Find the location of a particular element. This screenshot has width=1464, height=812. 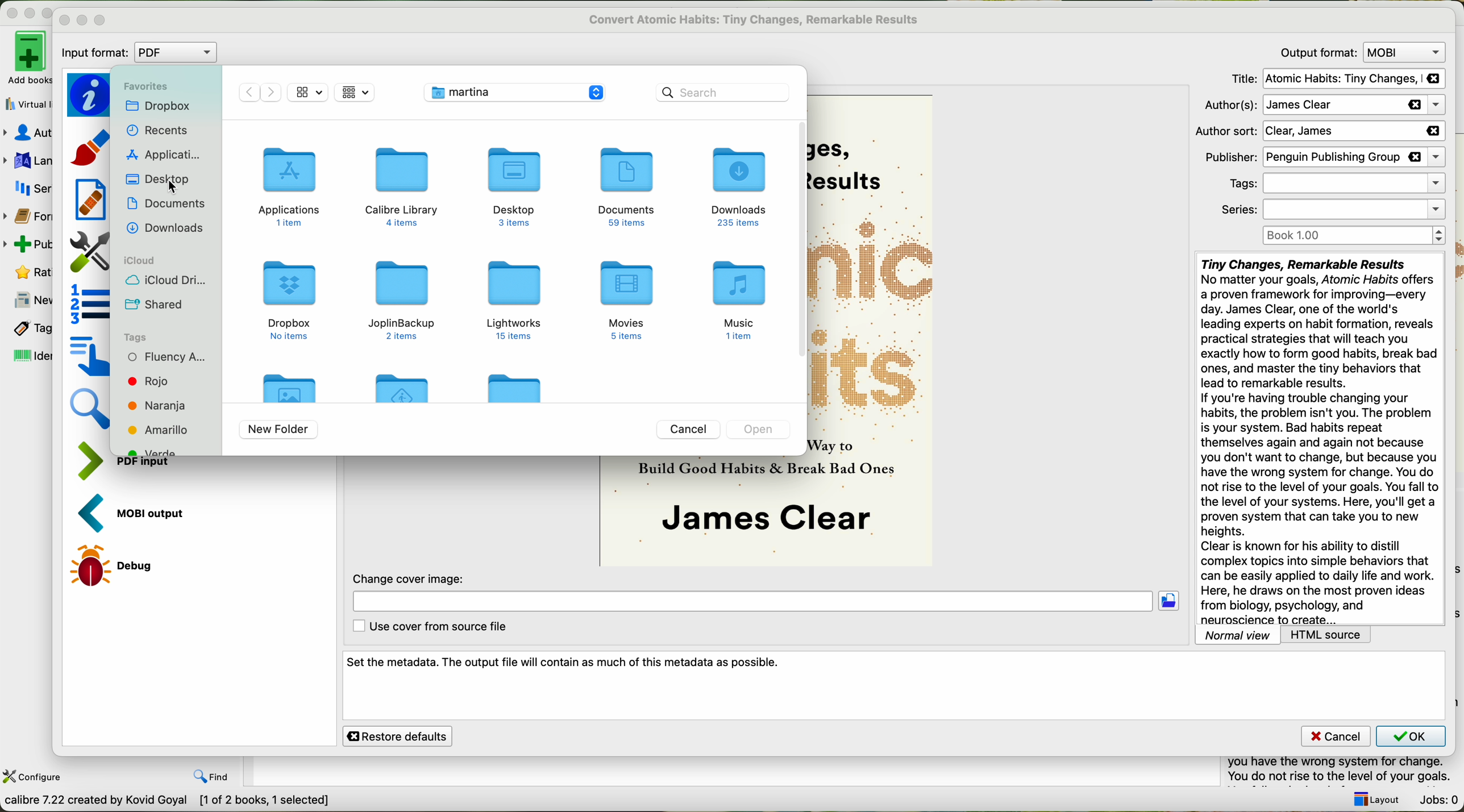

Jobs: 0 is located at coordinates (1438, 801).